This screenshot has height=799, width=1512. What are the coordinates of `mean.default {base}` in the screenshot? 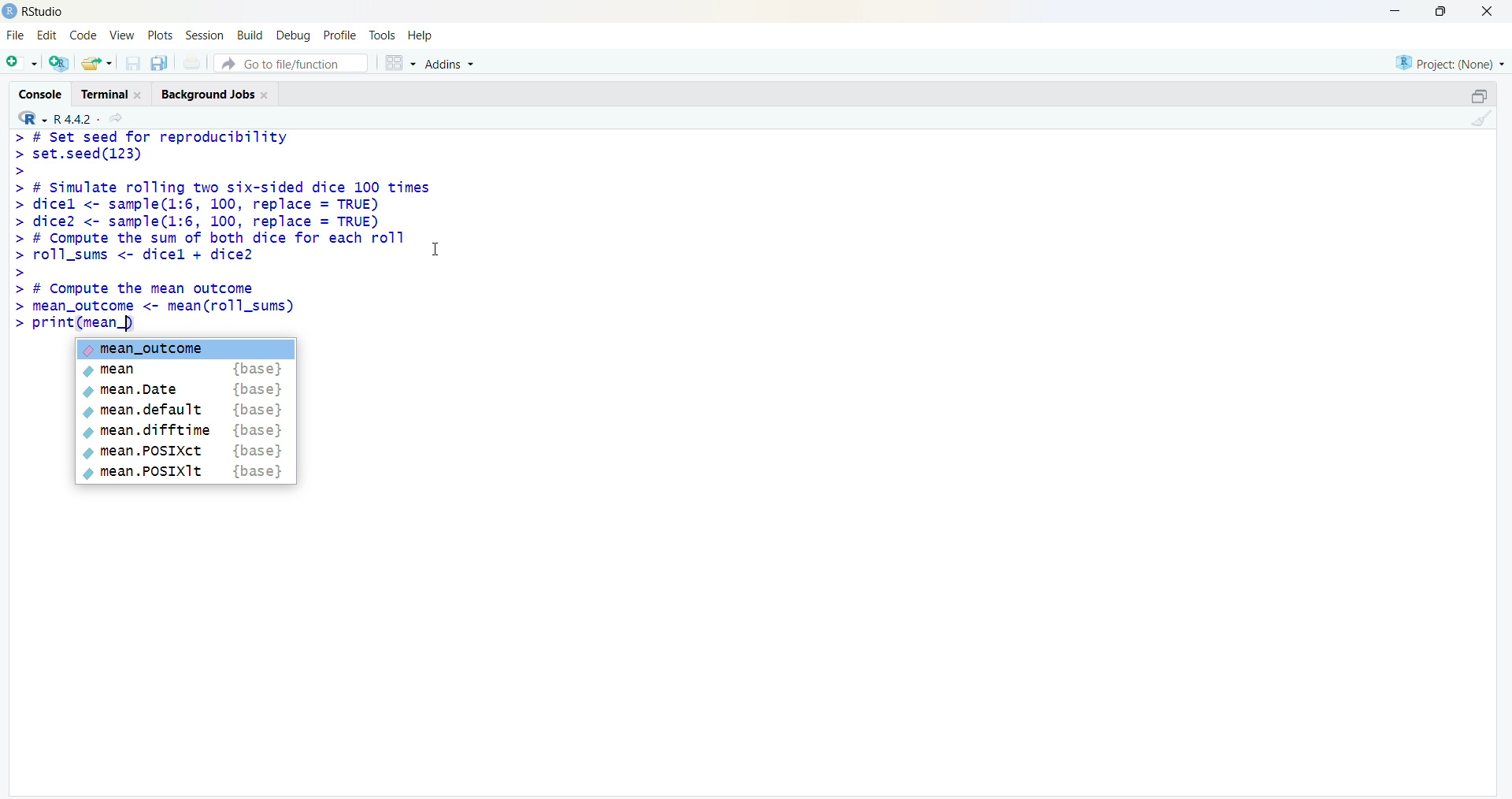 It's located at (182, 411).